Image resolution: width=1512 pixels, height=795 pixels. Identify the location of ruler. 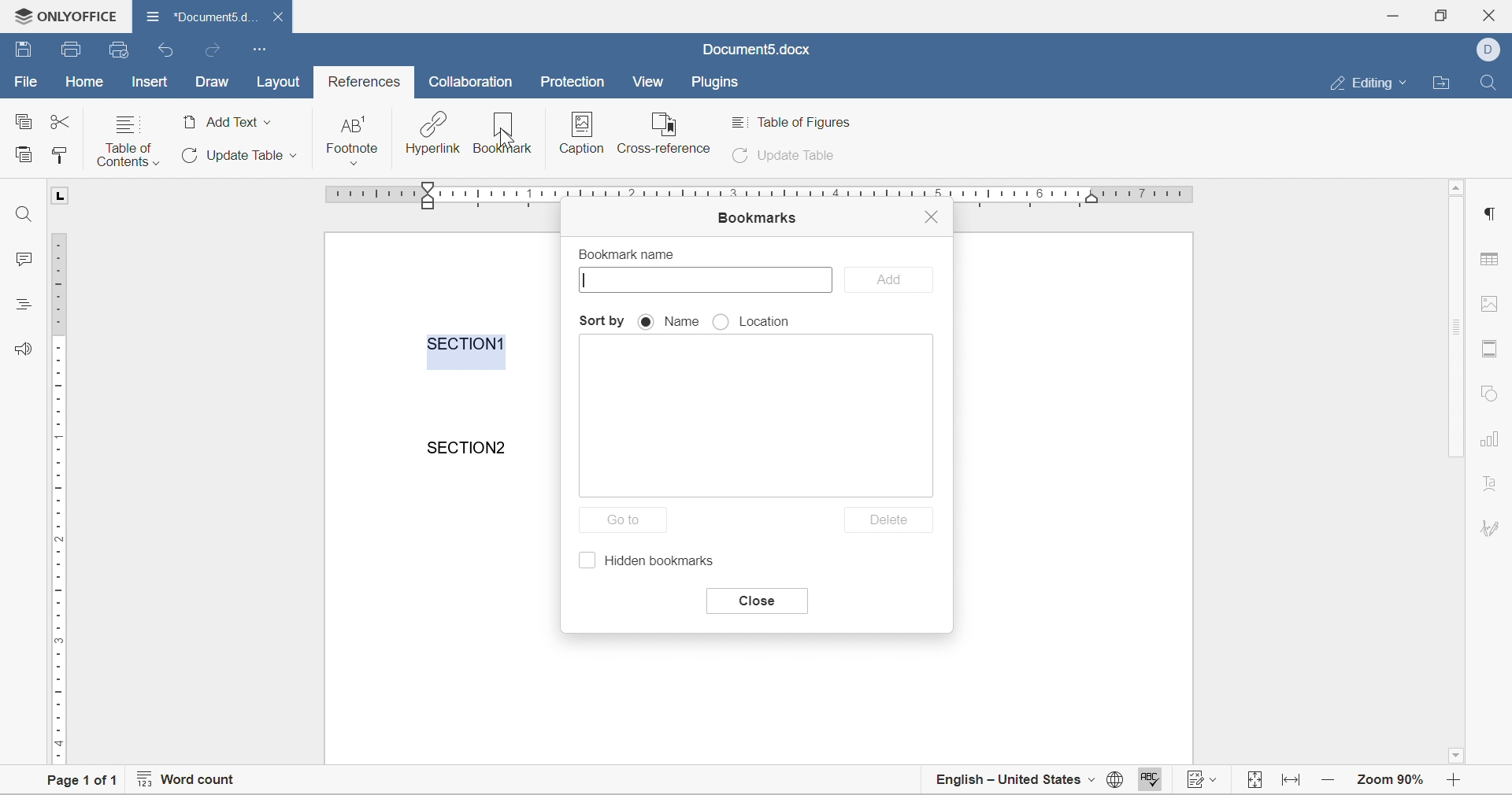
(57, 497).